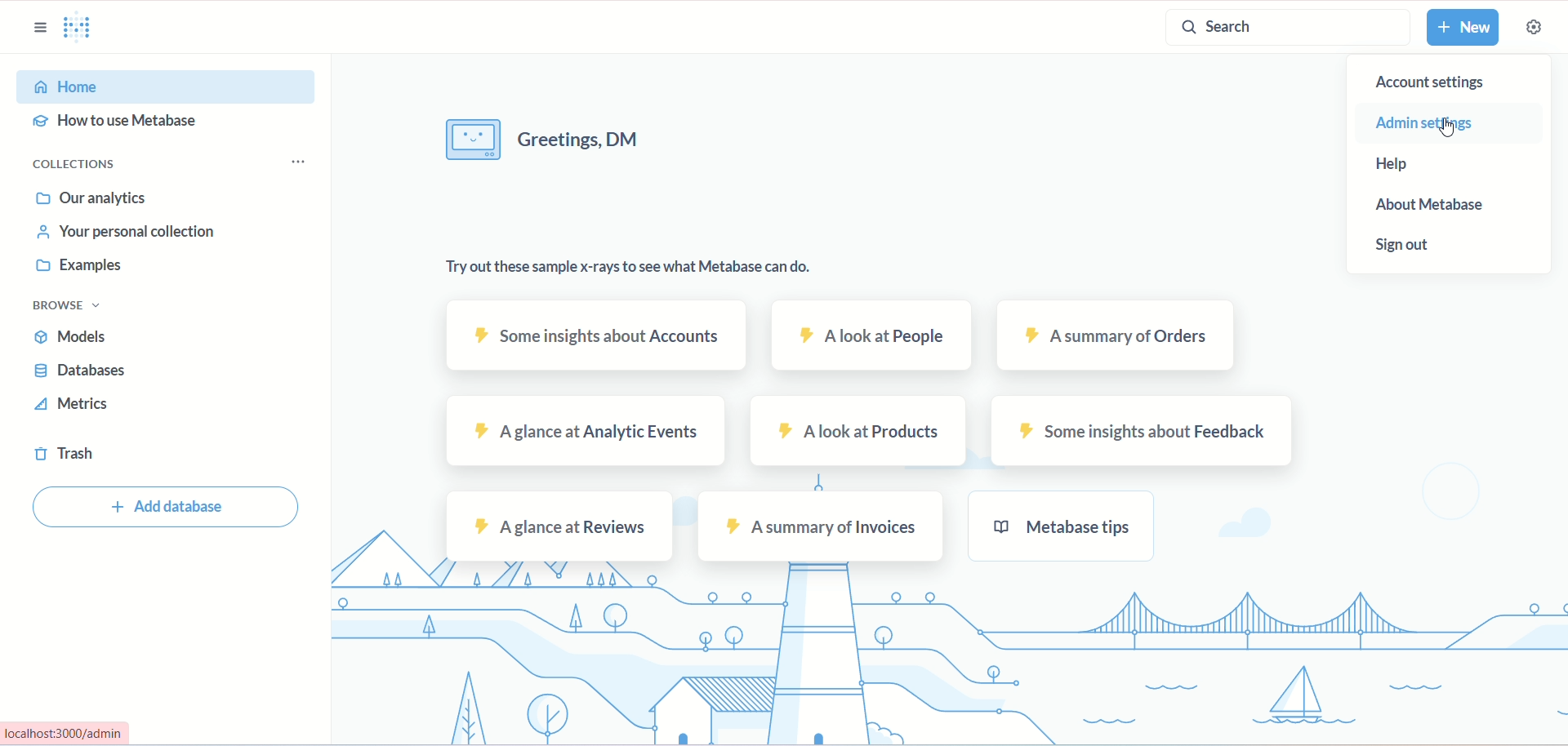 The height and width of the screenshot is (746, 1568). What do you see at coordinates (634, 269) in the screenshot?
I see `text` at bounding box center [634, 269].